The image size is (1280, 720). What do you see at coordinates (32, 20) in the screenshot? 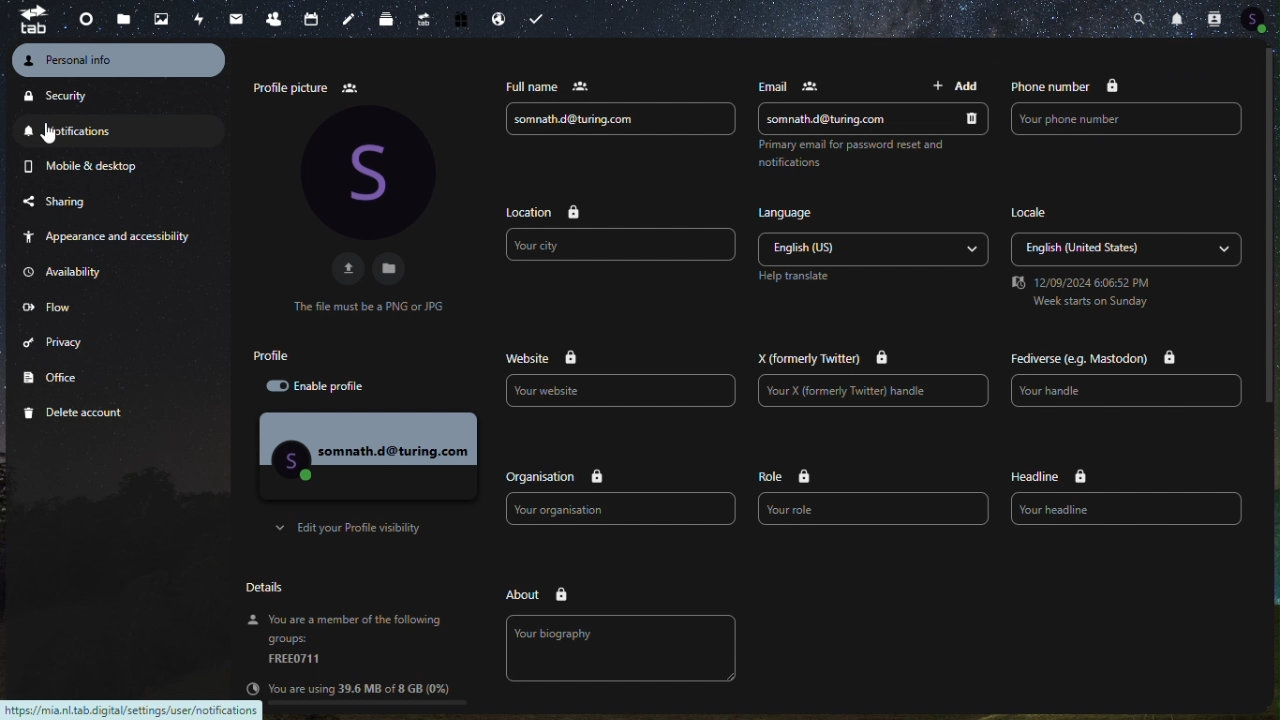
I see `tab` at bounding box center [32, 20].